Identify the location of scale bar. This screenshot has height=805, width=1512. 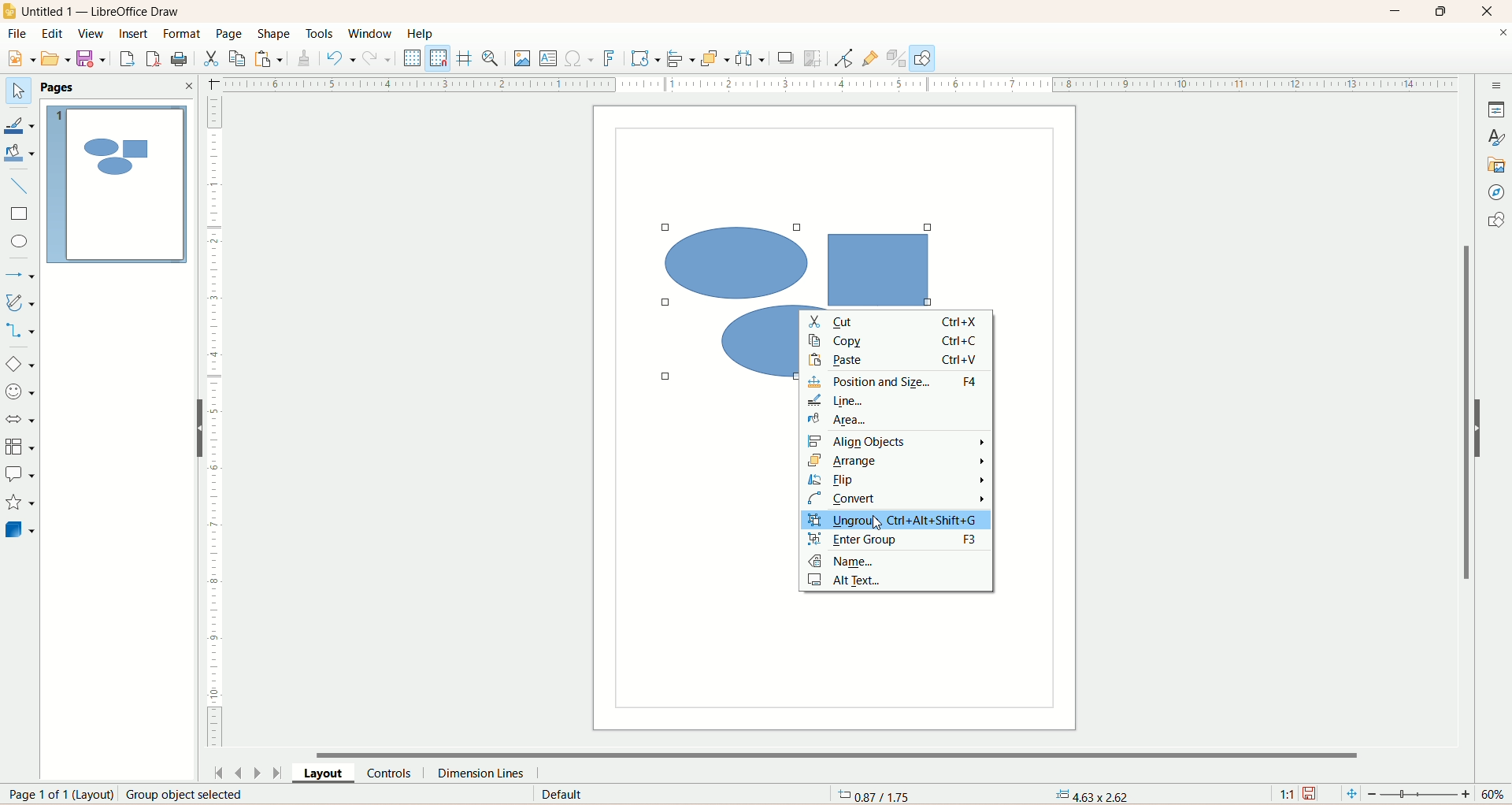
(838, 83).